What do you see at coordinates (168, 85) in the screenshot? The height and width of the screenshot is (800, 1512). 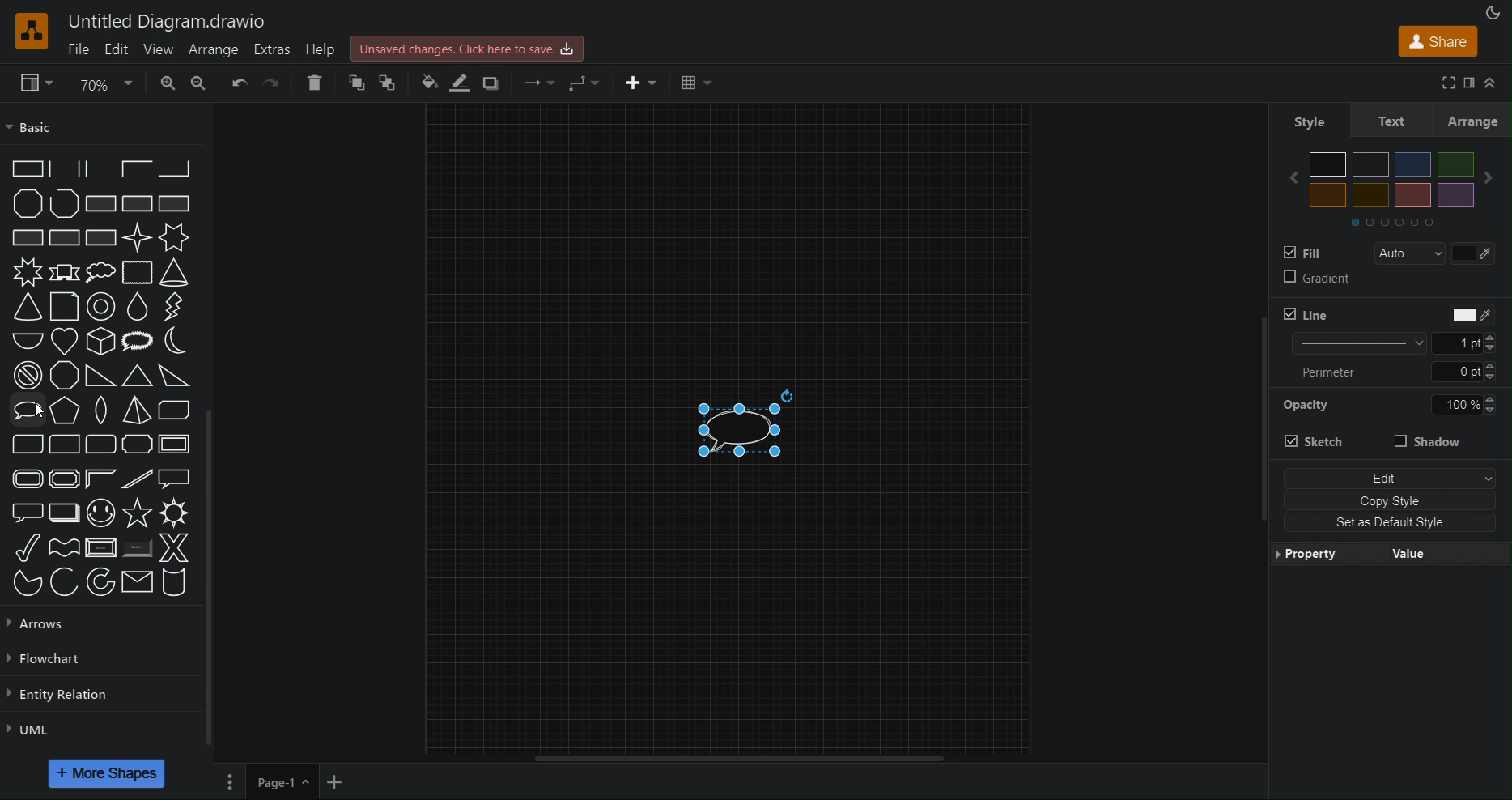 I see `Zoom In` at bounding box center [168, 85].